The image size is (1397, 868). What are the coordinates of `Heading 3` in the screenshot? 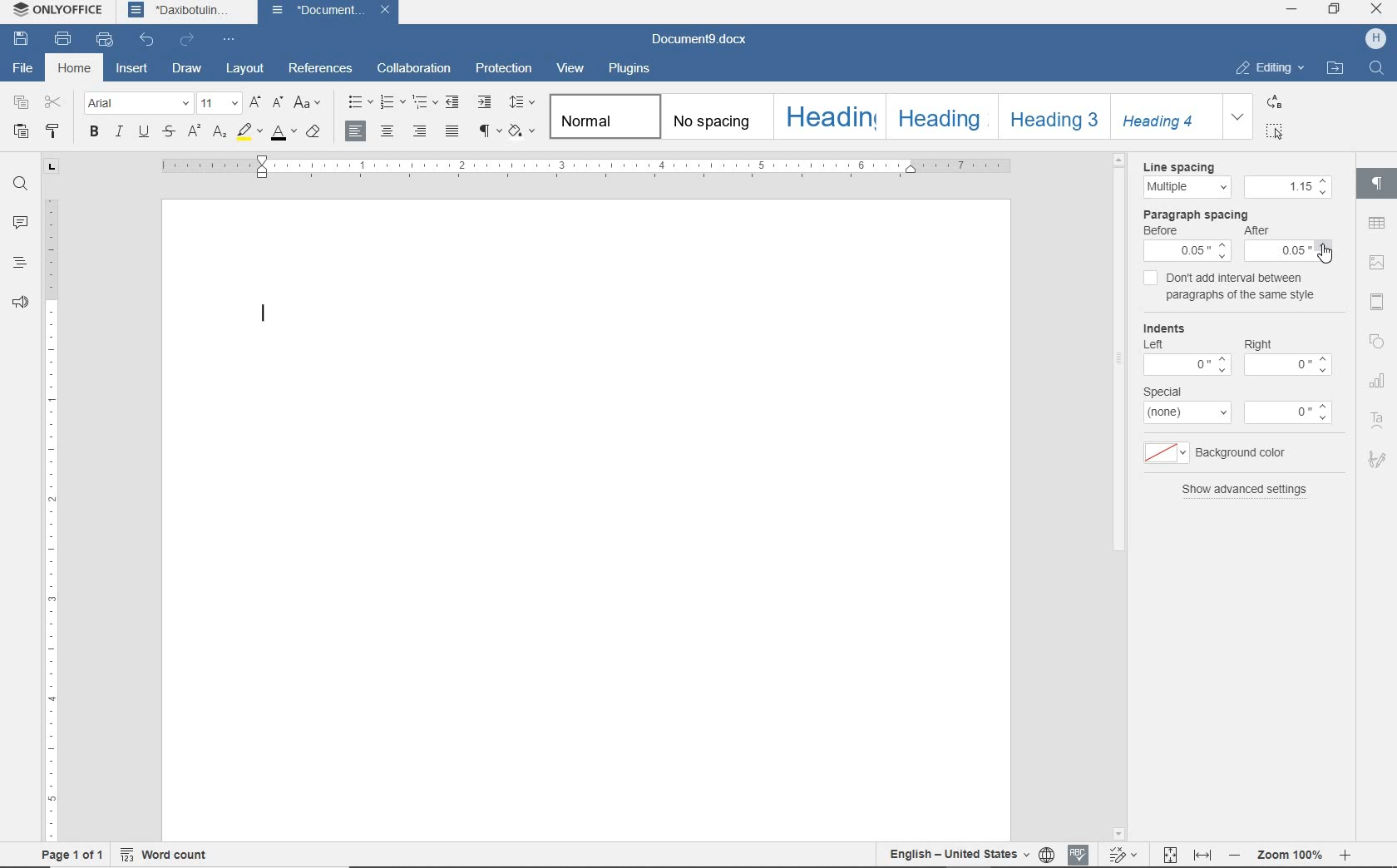 It's located at (1054, 117).